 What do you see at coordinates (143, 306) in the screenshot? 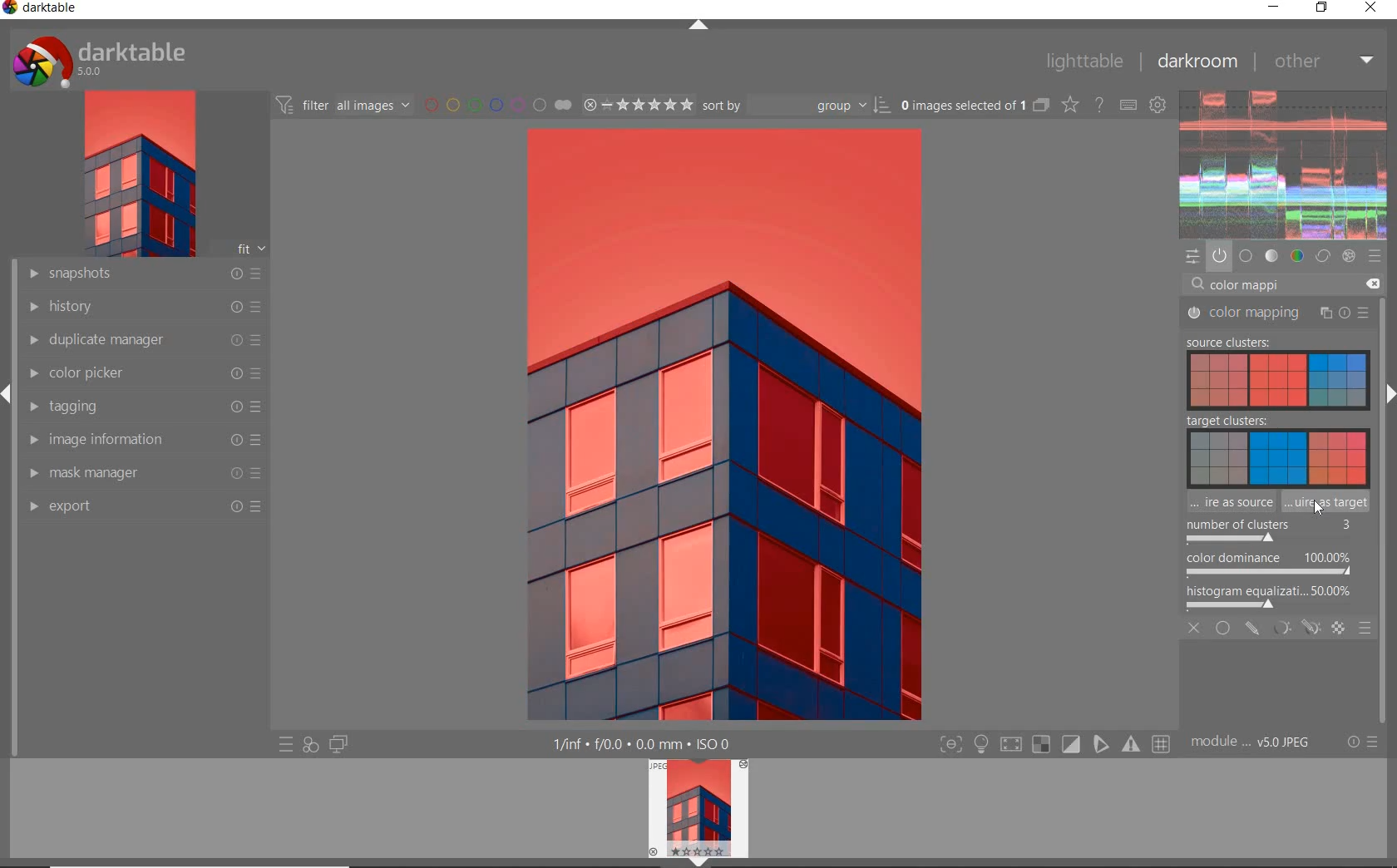
I see `history` at bounding box center [143, 306].